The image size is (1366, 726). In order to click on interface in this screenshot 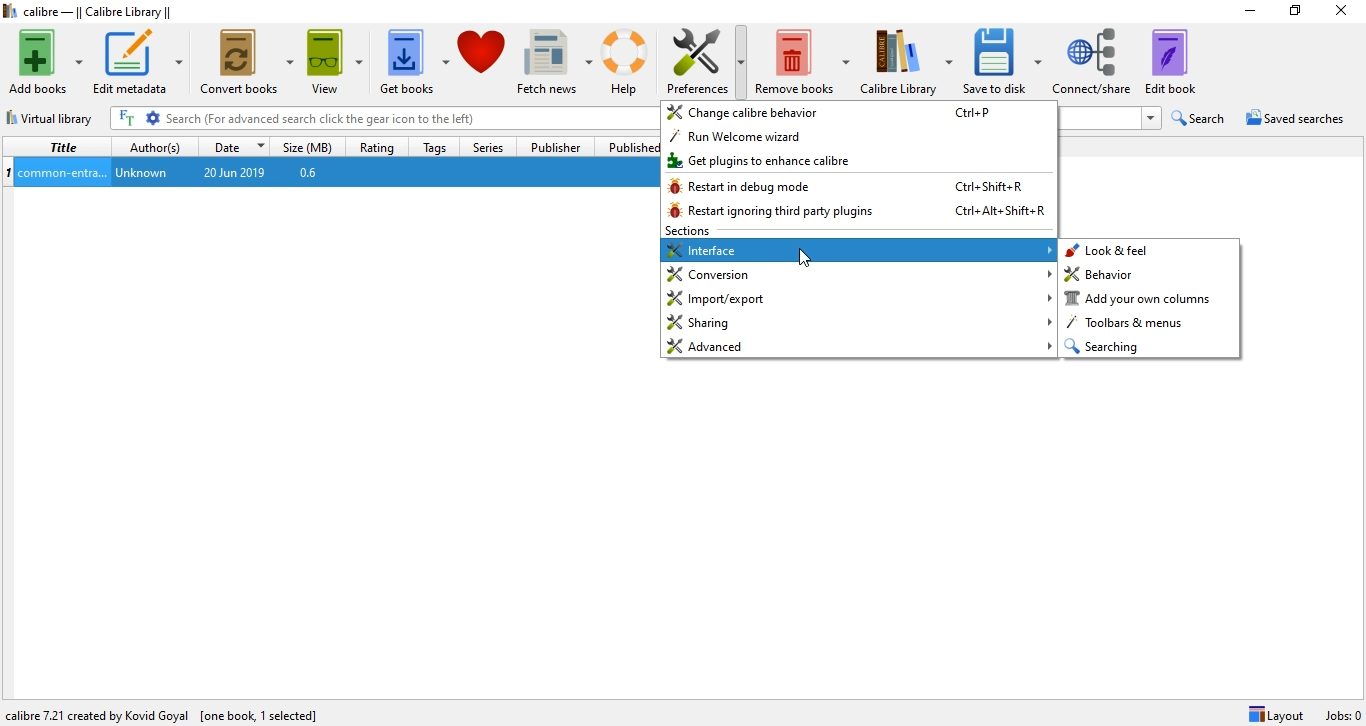, I will do `click(859, 250)`.